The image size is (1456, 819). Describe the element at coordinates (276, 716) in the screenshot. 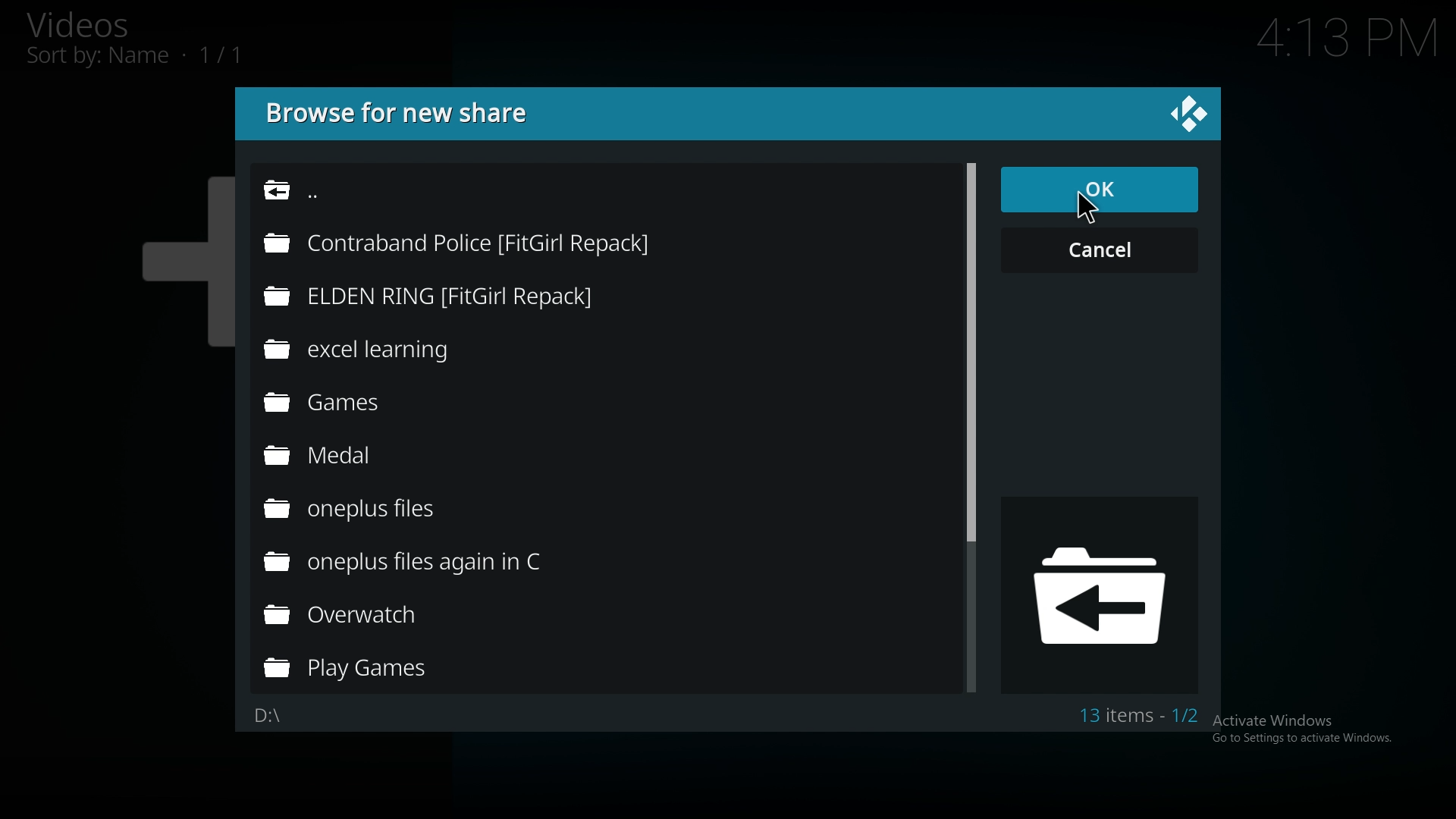

I see `folder name` at that location.